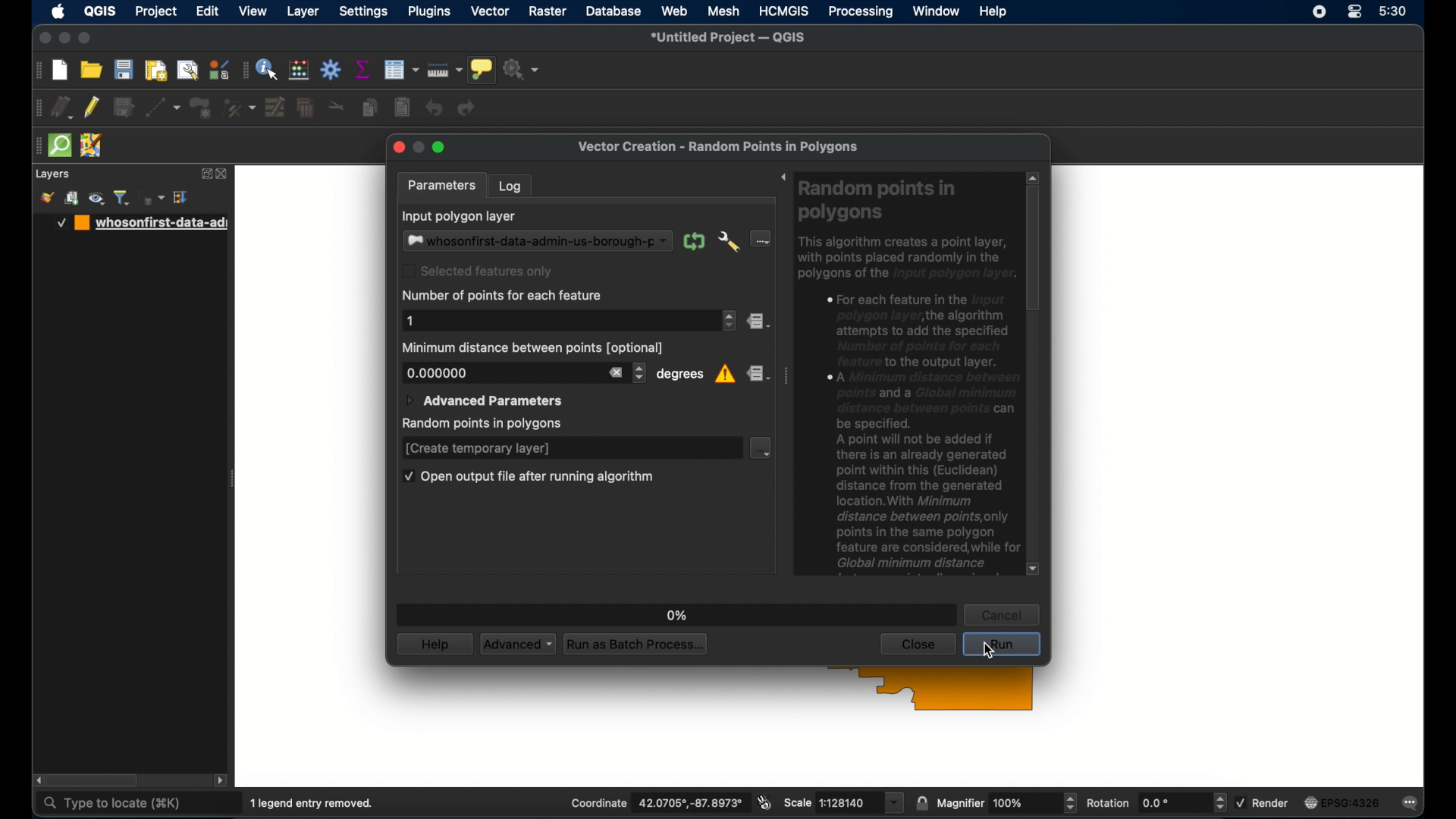  Describe the element at coordinates (37, 780) in the screenshot. I see `scroll left arrow` at that location.